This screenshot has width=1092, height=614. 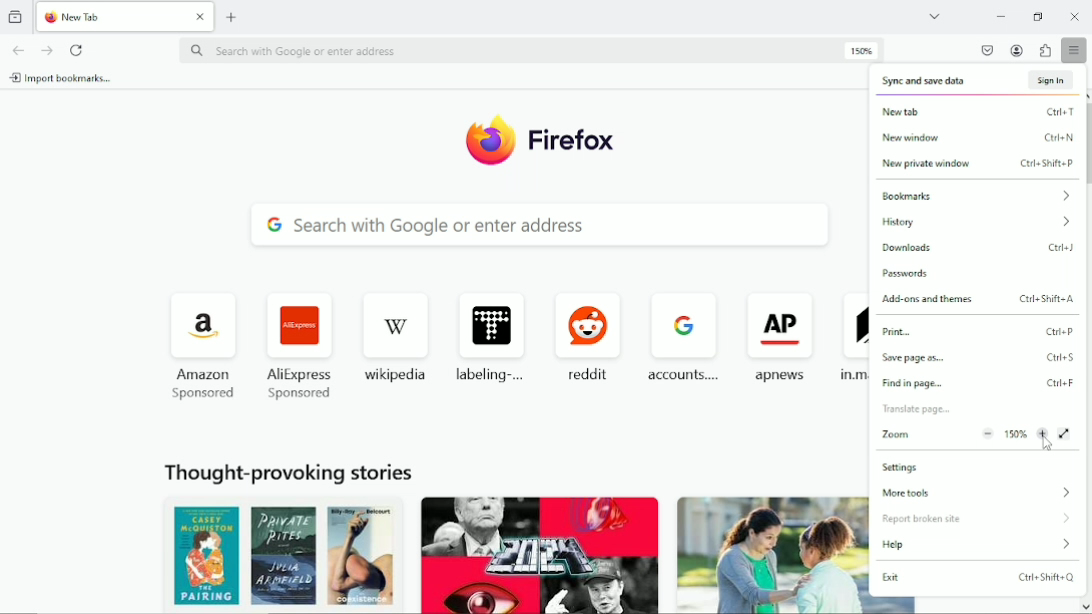 What do you see at coordinates (770, 552) in the screenshot?
I see `image` at bounding box center [770, 552].